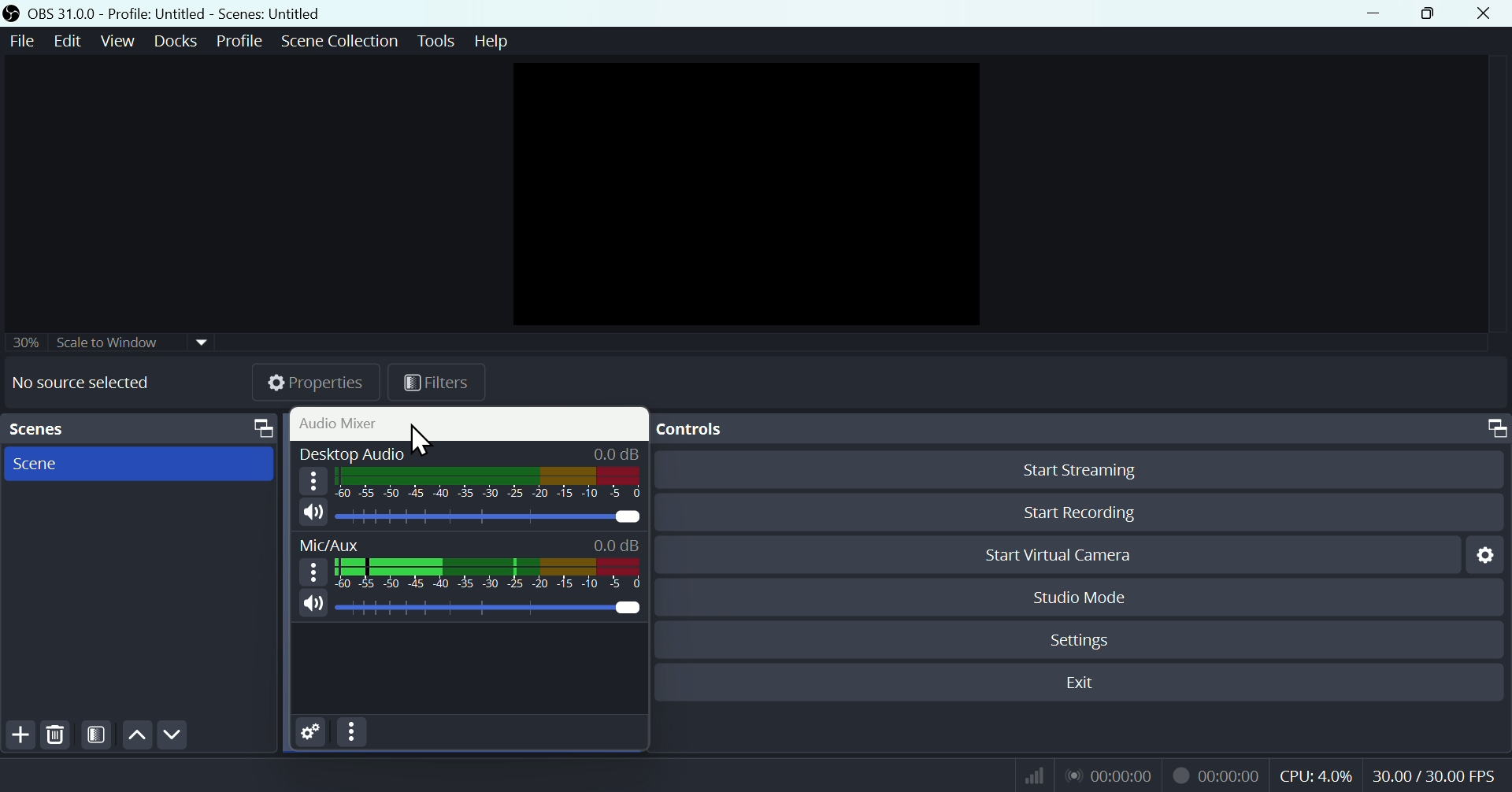  Describe the element at coordinates (1488, 554) in the screenshot. I see `Settings` at that location.